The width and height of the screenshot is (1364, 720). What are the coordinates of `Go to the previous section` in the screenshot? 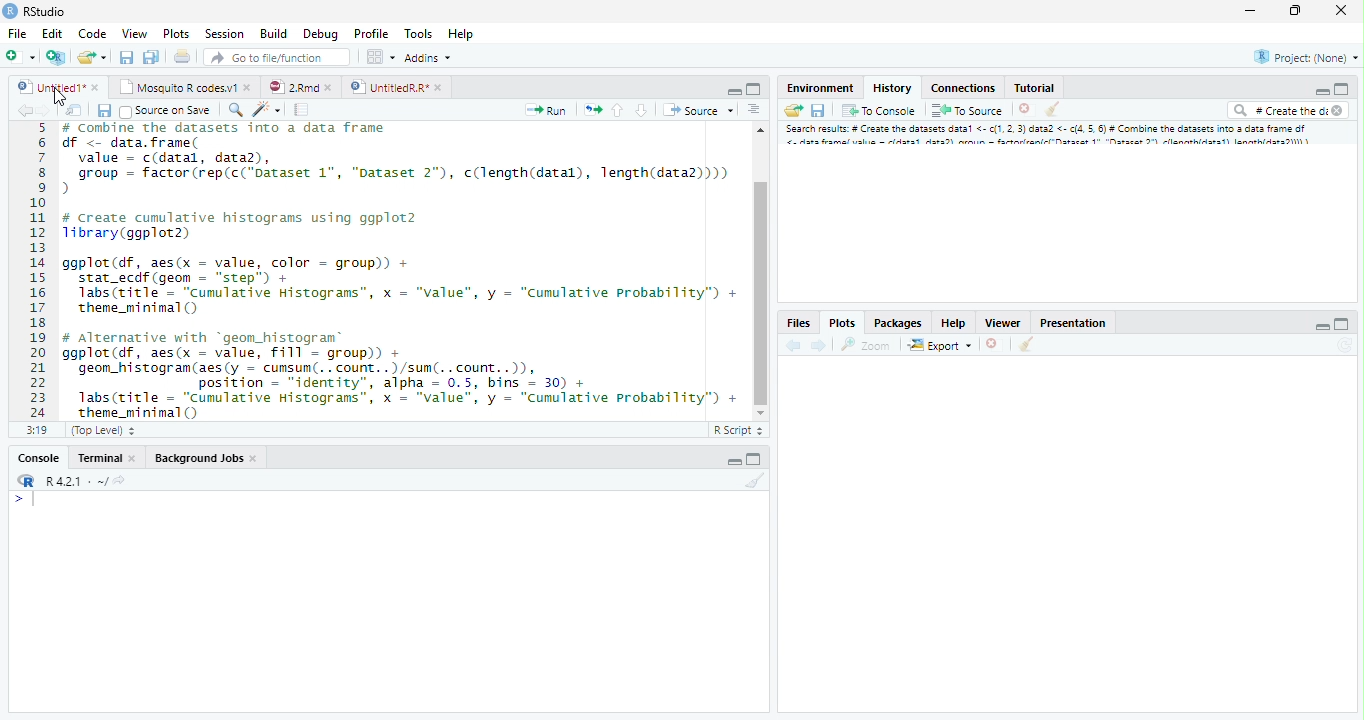 It's located at (619, 113).